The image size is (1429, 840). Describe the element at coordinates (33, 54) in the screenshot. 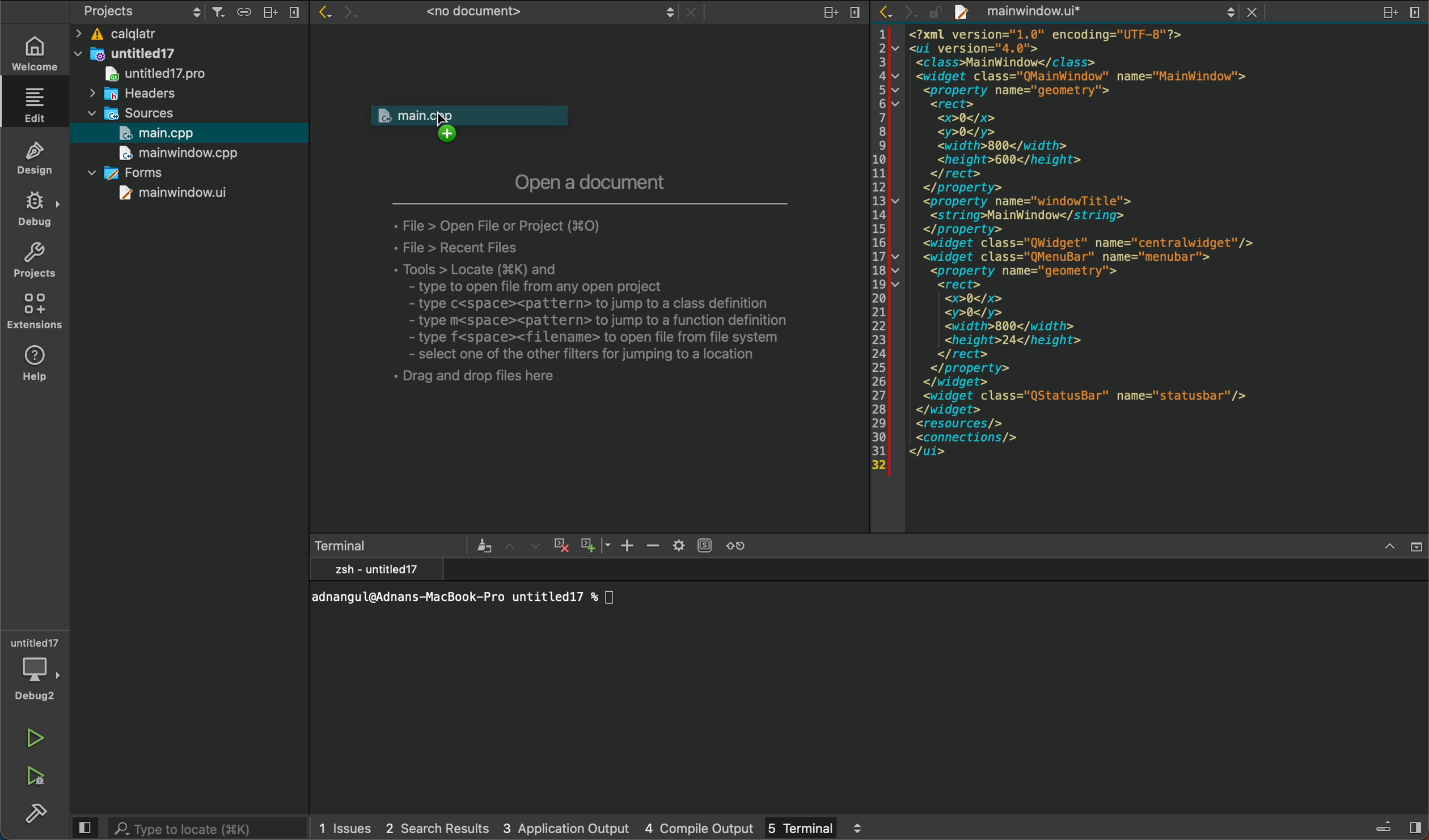

I see `welcome` at that location.